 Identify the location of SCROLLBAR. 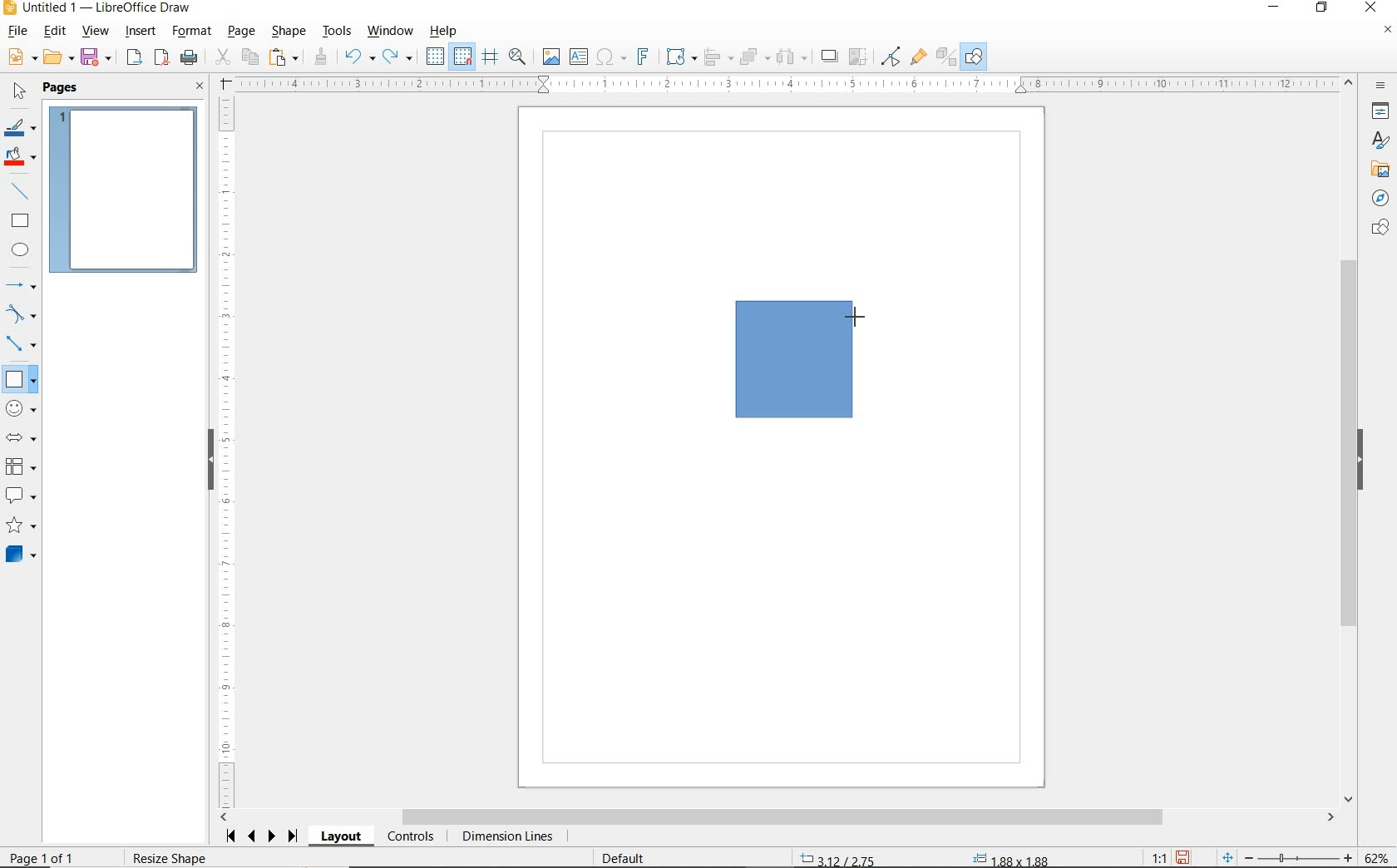
(1351, 440).